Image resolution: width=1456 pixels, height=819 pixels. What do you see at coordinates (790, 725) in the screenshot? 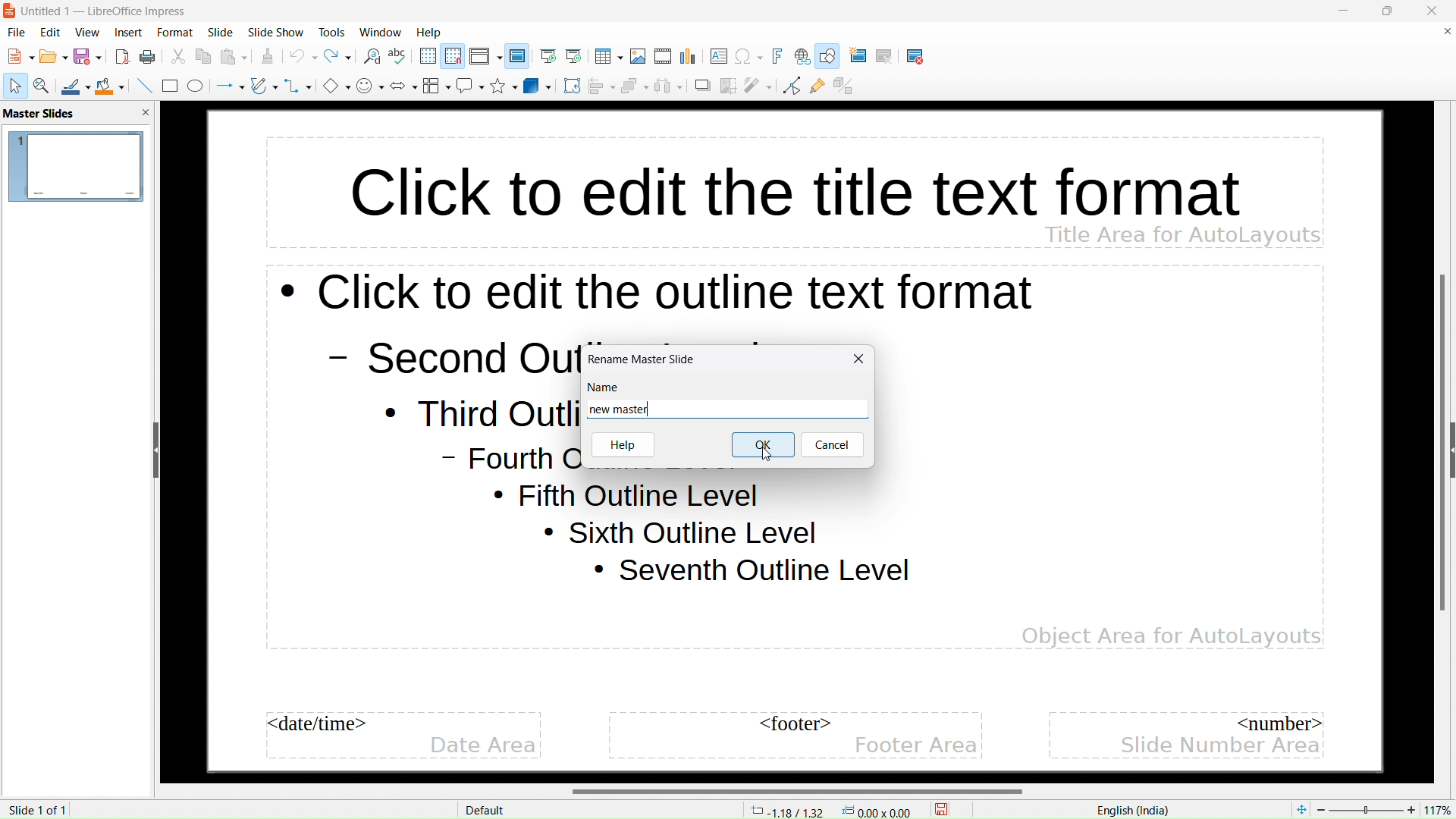
I see `<footer>` at bounding box center [790, 725].